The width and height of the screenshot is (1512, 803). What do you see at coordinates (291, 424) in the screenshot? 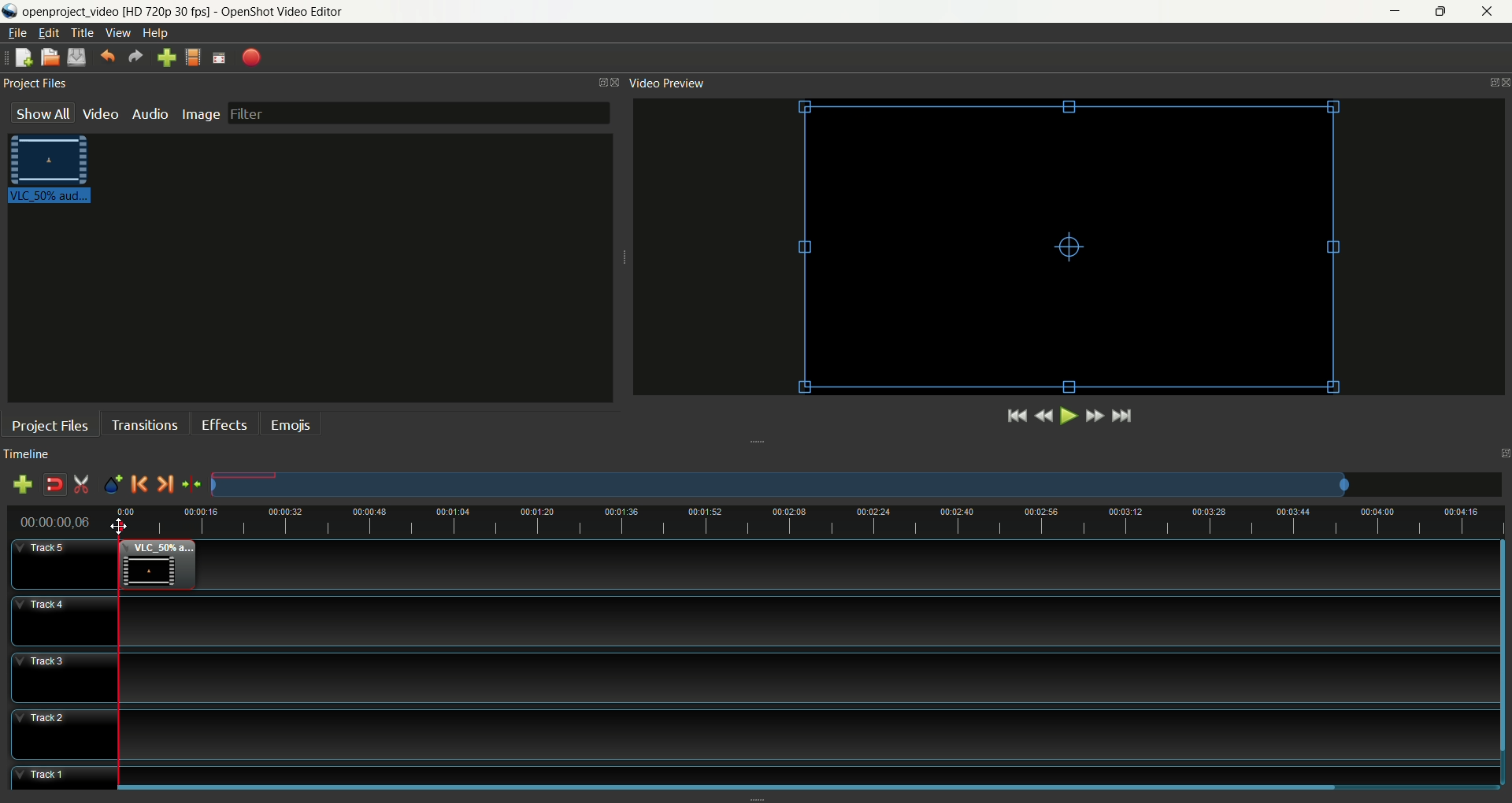
I see `emojis` at bounding box center [291, 424].